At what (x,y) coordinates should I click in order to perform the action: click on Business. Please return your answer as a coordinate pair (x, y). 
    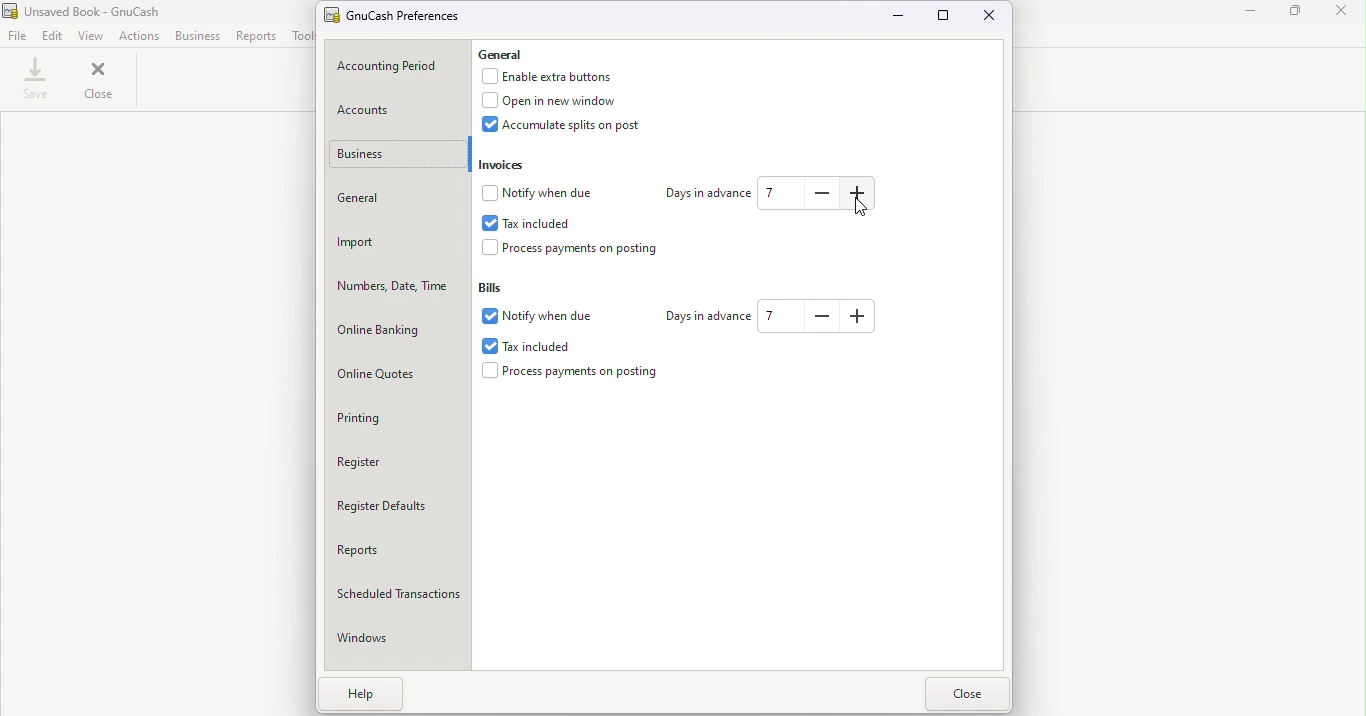
    Looking at the image, I should click on (198, 35).